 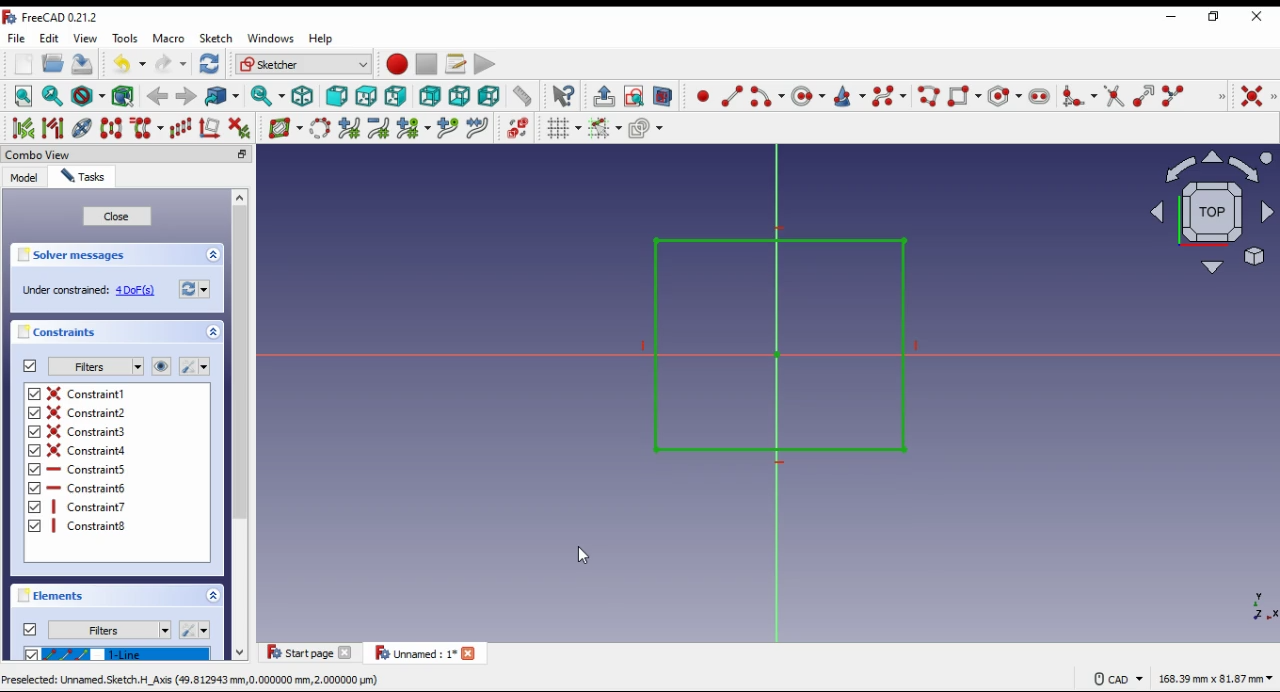 What do you see at coordinates (336, 96) in the screenshot?
I see `front` at bounding box center [336, 96].